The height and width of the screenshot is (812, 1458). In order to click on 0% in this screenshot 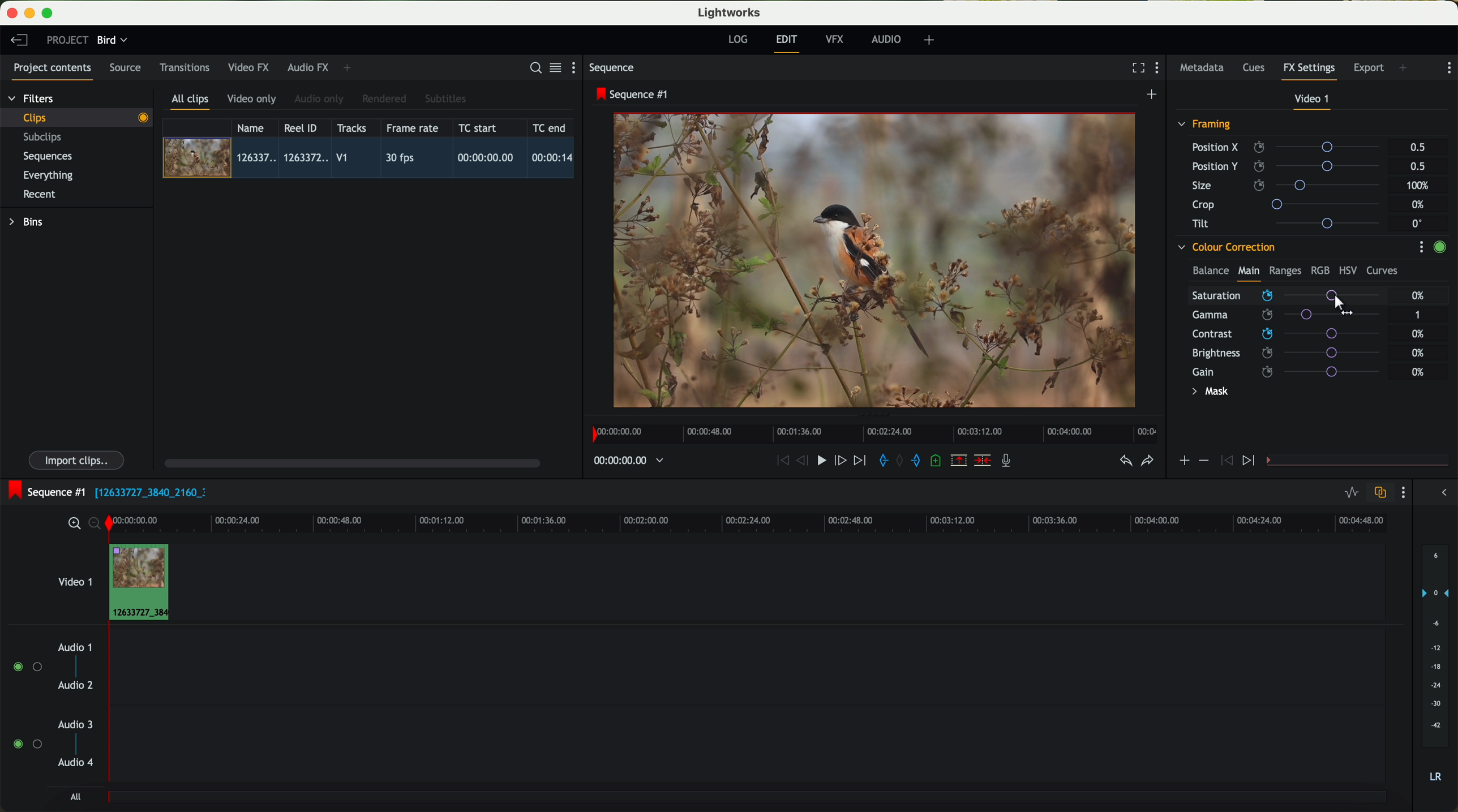, I will do `click(1420, 334)`.